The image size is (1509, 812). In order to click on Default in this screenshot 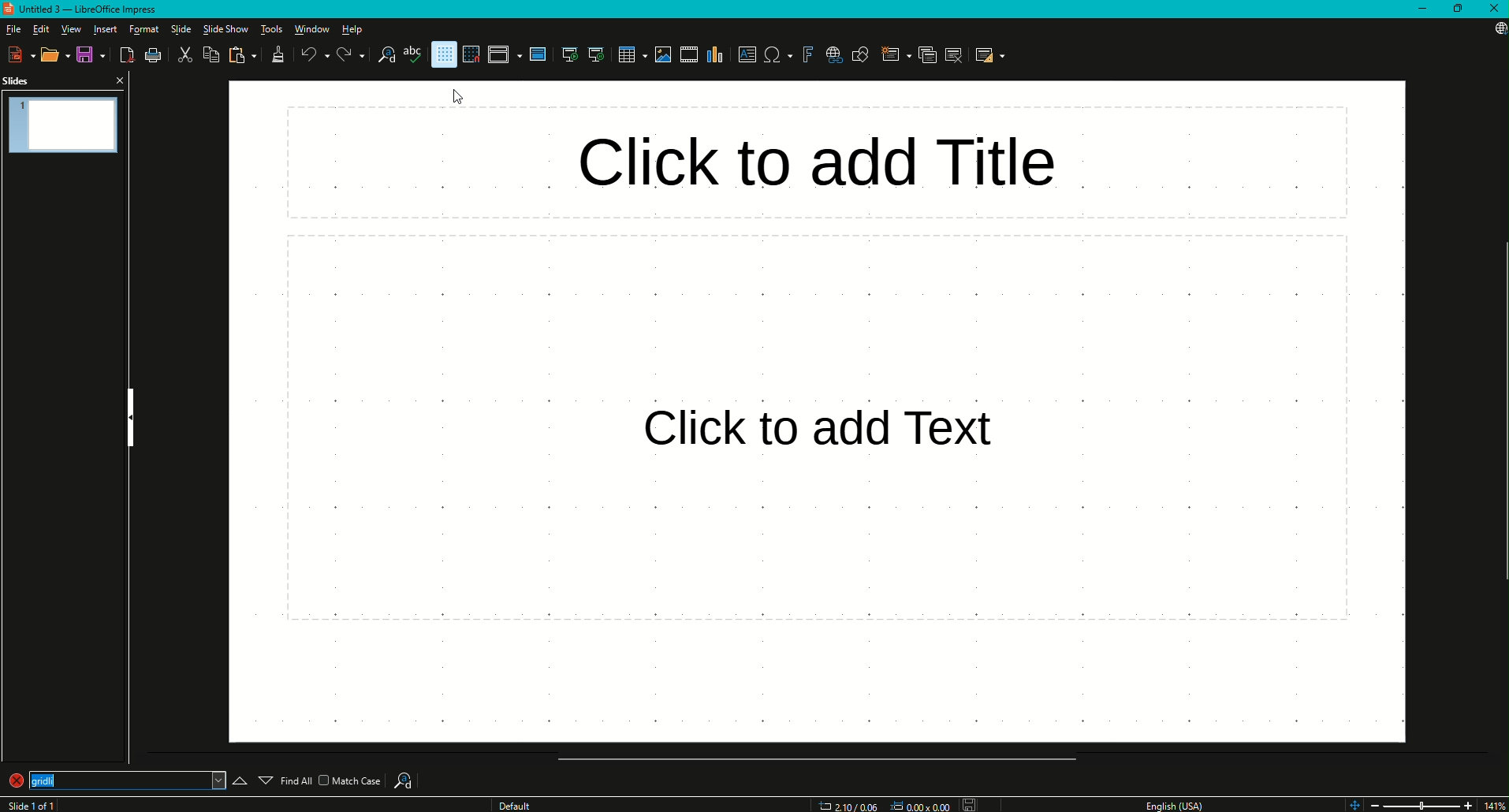, I will do `click(516, 804)`.